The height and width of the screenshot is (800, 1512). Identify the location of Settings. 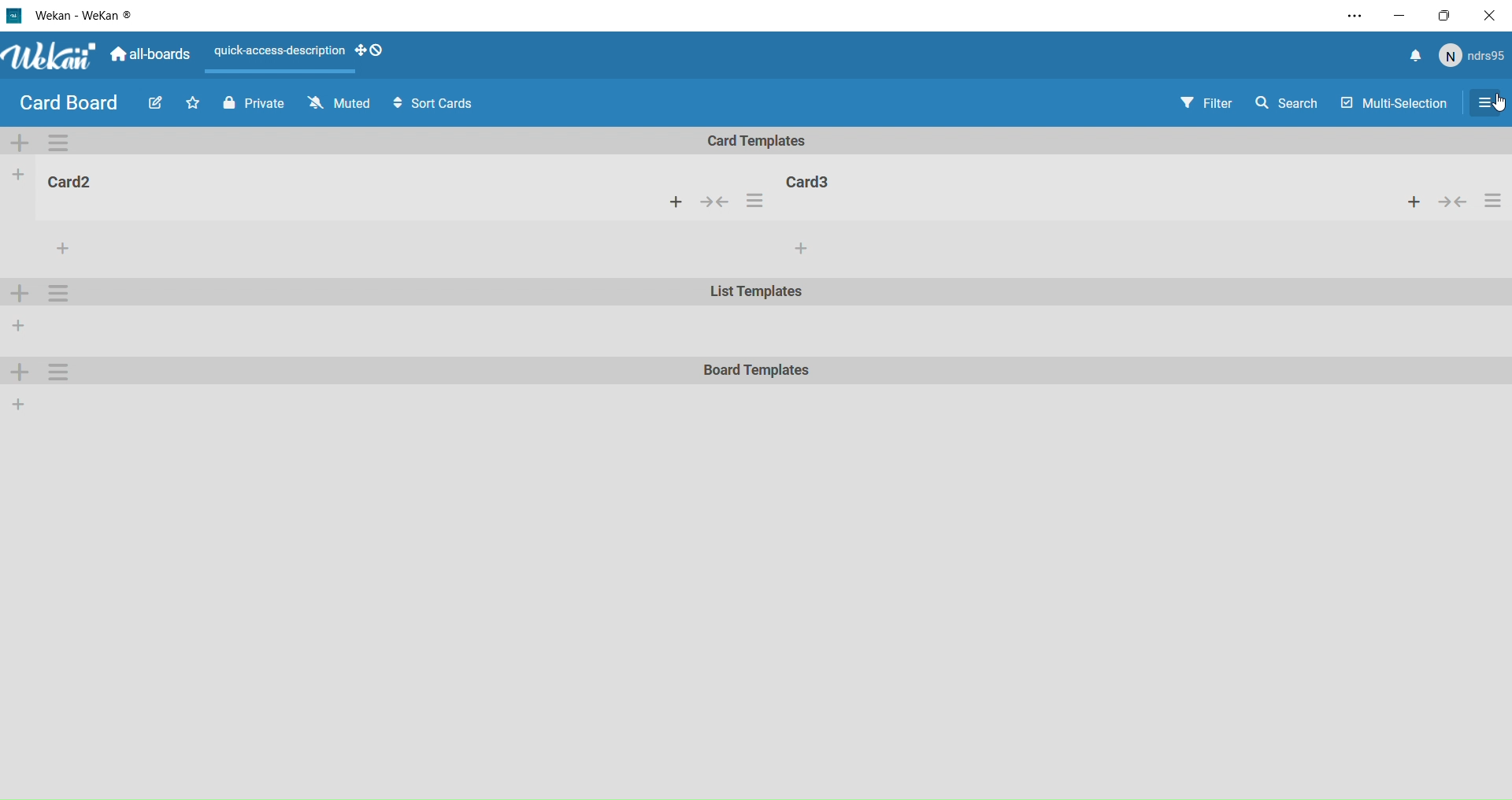
(1492, 104).